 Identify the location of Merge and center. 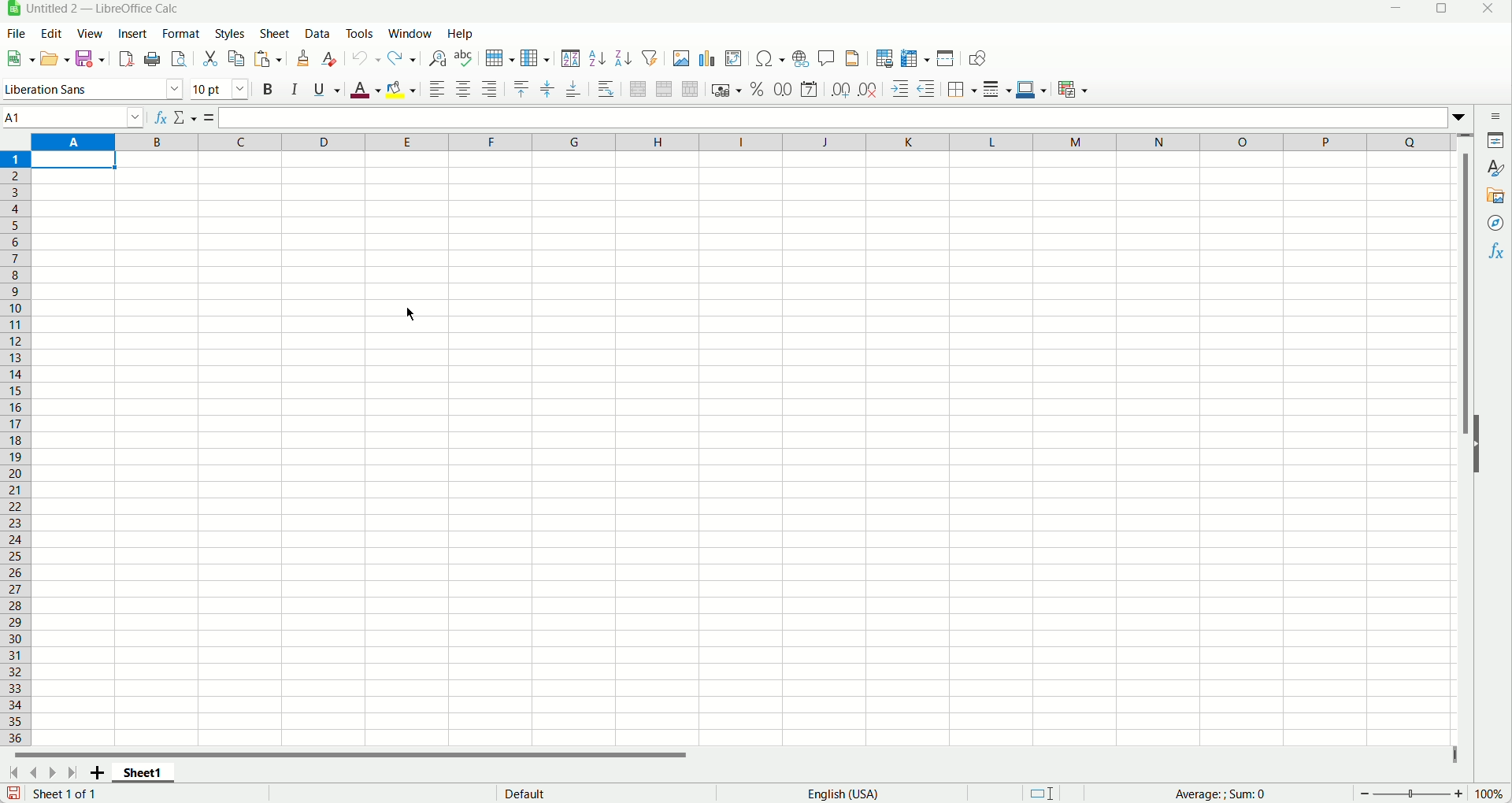
(638, 88).